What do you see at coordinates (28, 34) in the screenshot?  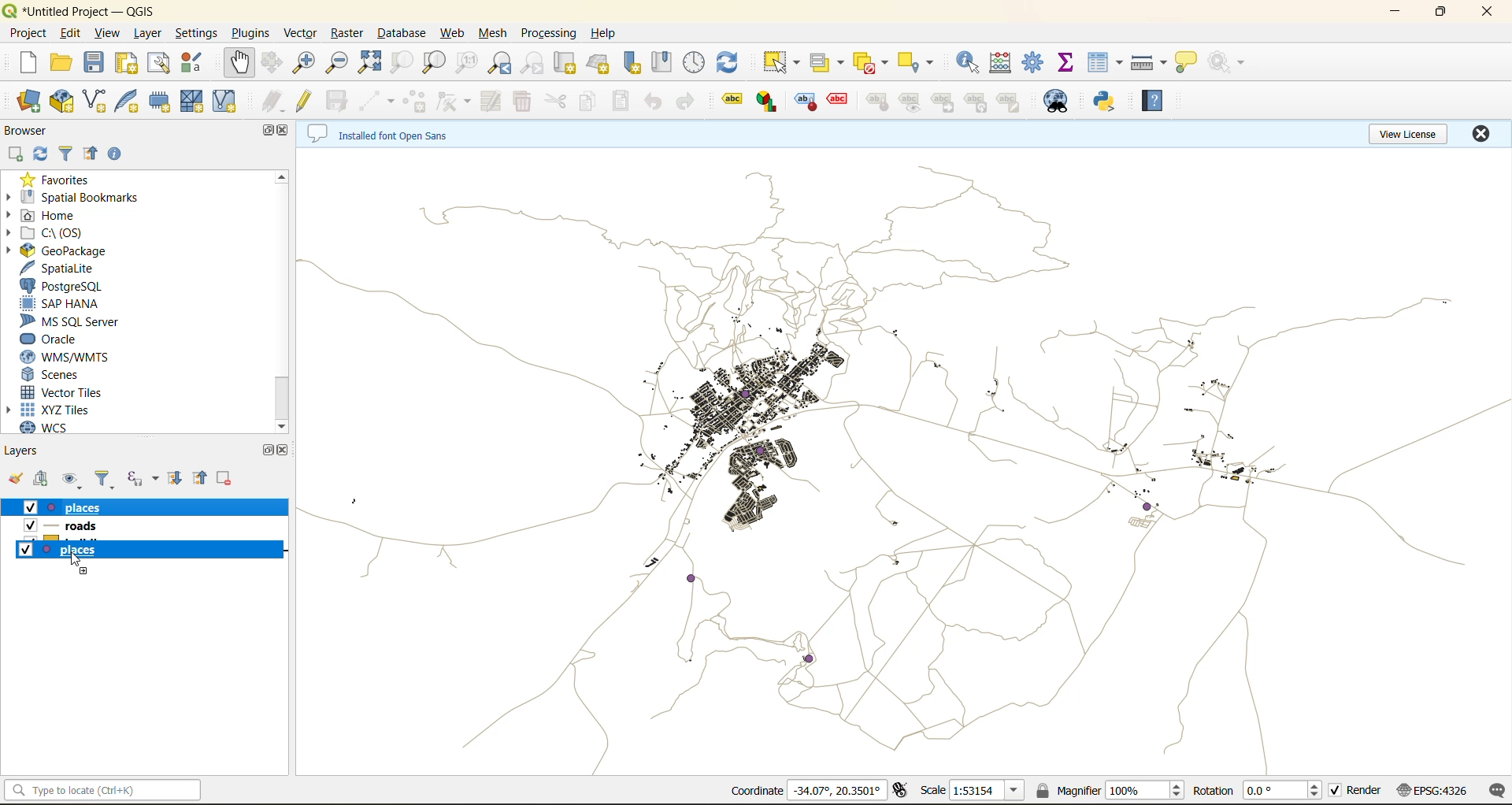 I see `project` at bounding box center [28, 34].